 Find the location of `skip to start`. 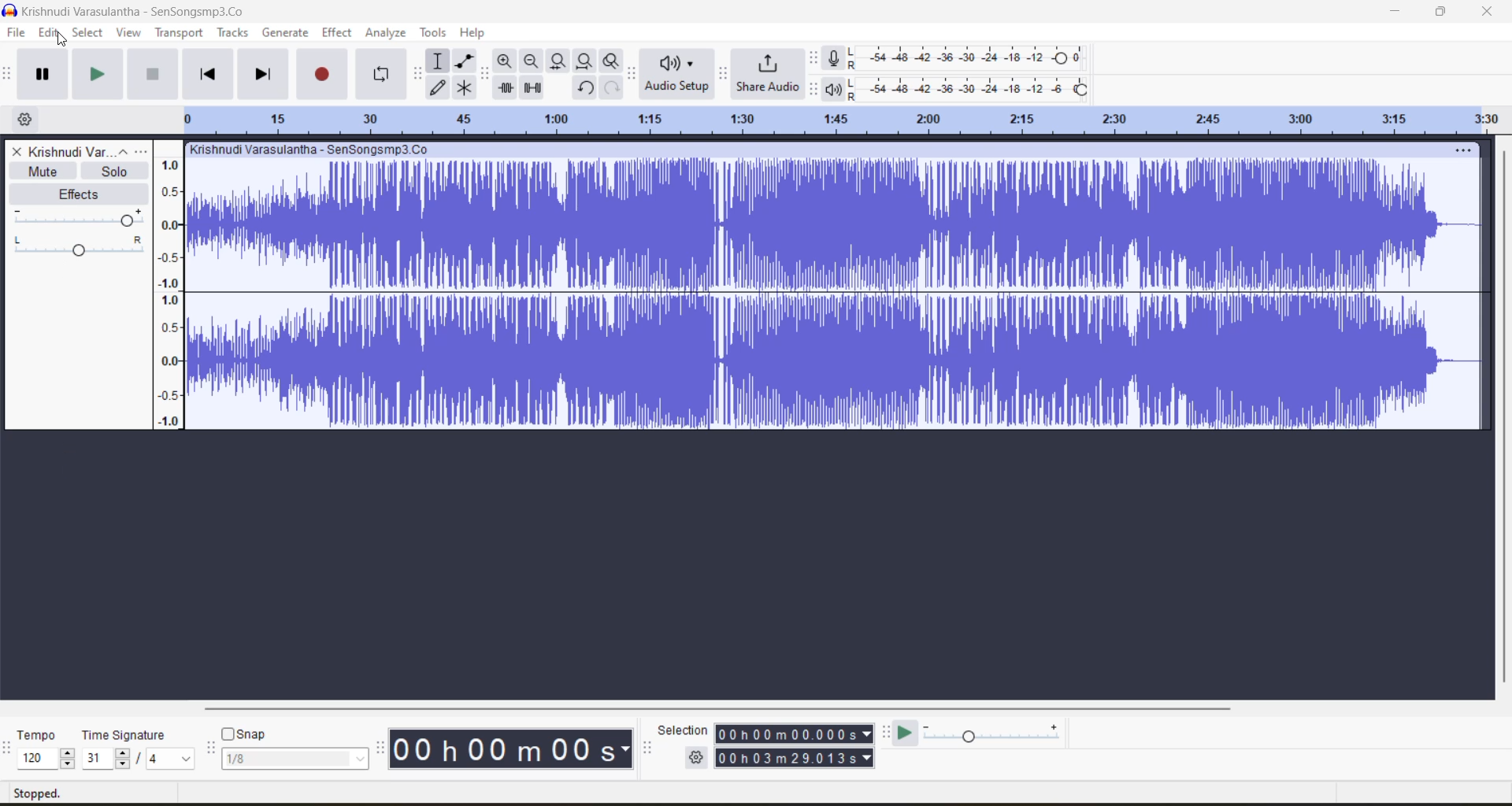

skip to start is located at coordinates (206, 73).